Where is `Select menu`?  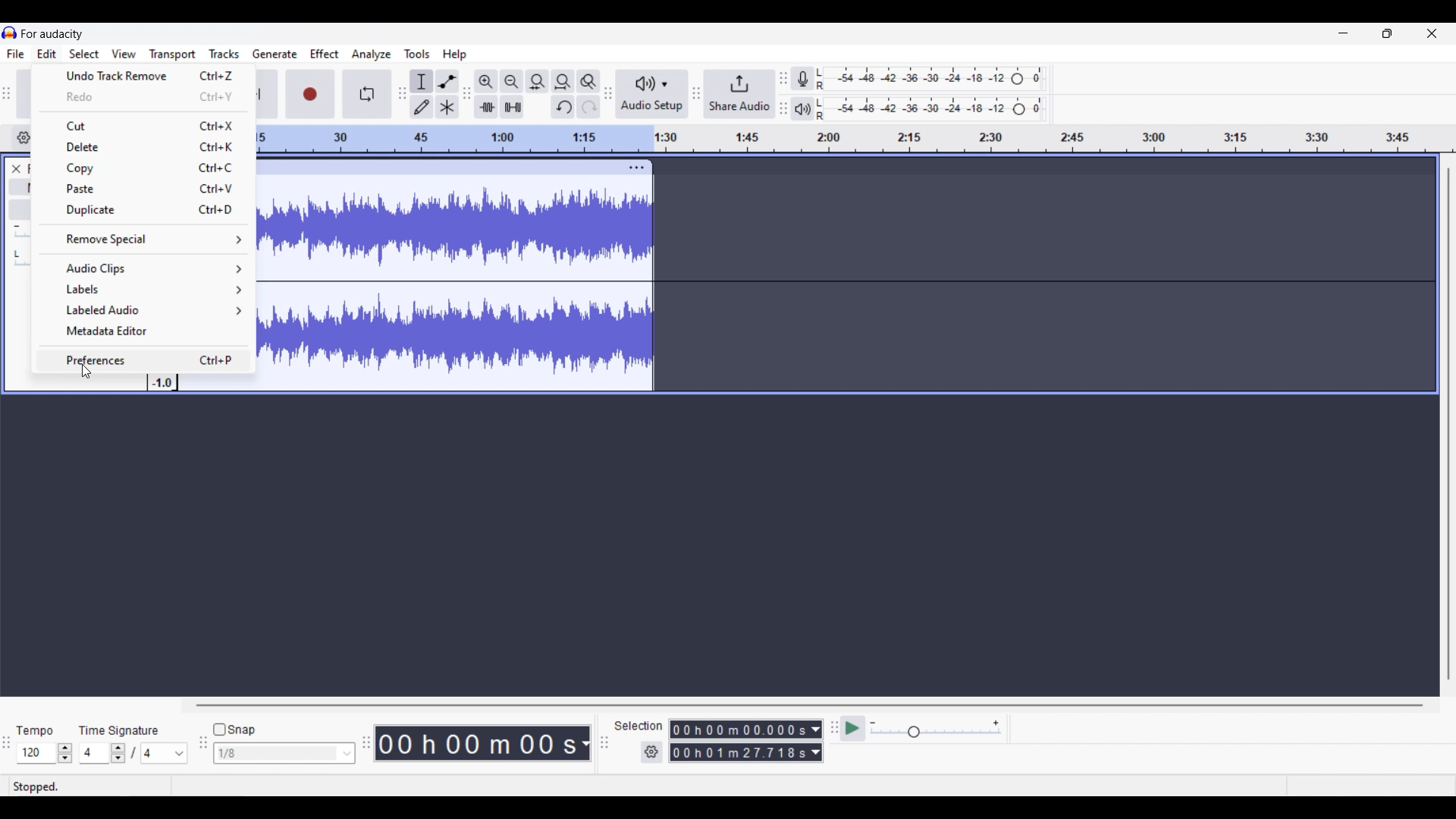
Select menu is located at coordinates (84, 53).